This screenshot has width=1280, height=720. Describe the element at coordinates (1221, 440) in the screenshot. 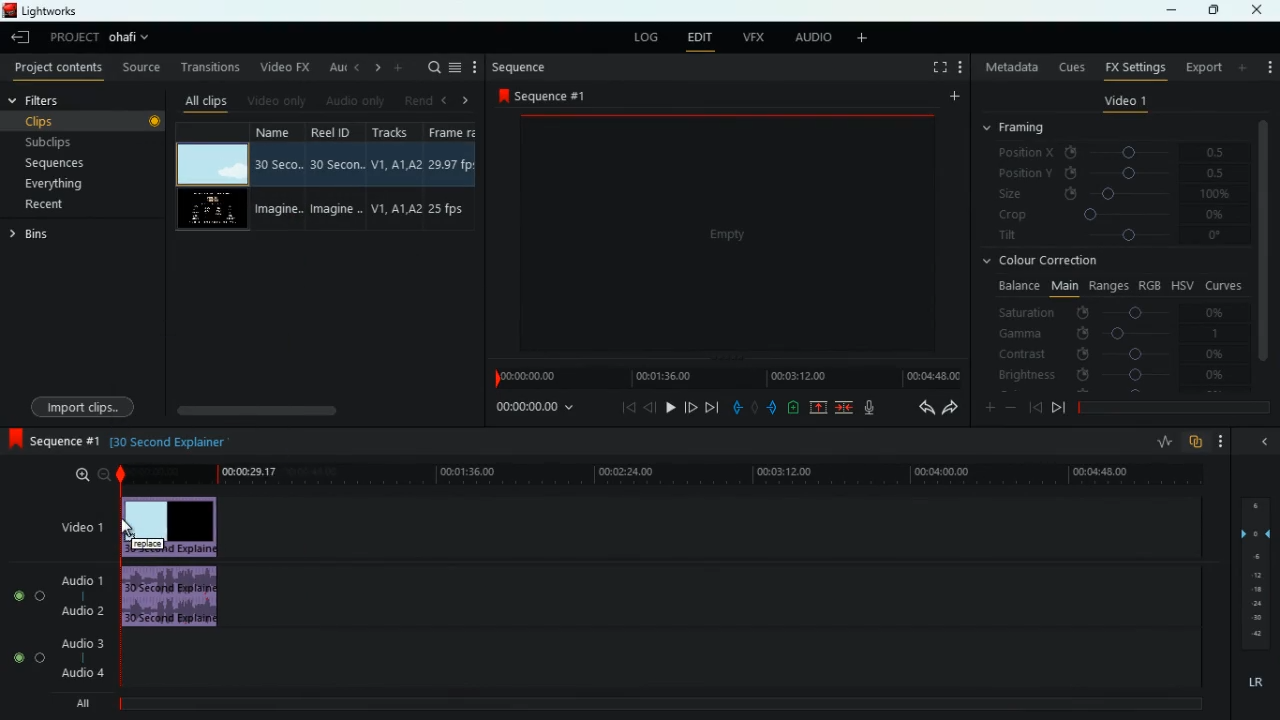

I see `more` at that location.